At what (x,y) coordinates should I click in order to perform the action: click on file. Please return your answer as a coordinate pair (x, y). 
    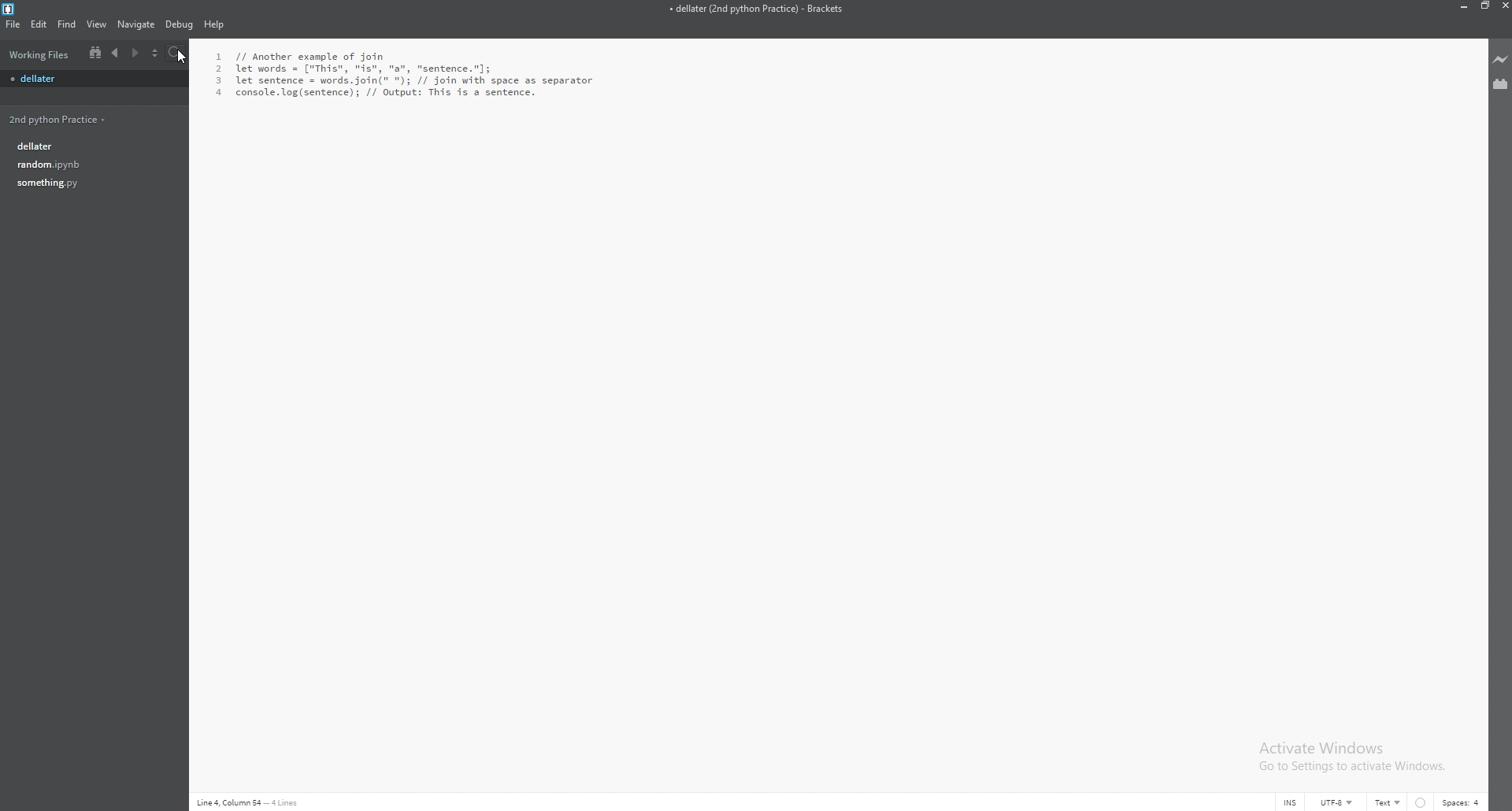
    Looking at the image, I should click on (14, 25).